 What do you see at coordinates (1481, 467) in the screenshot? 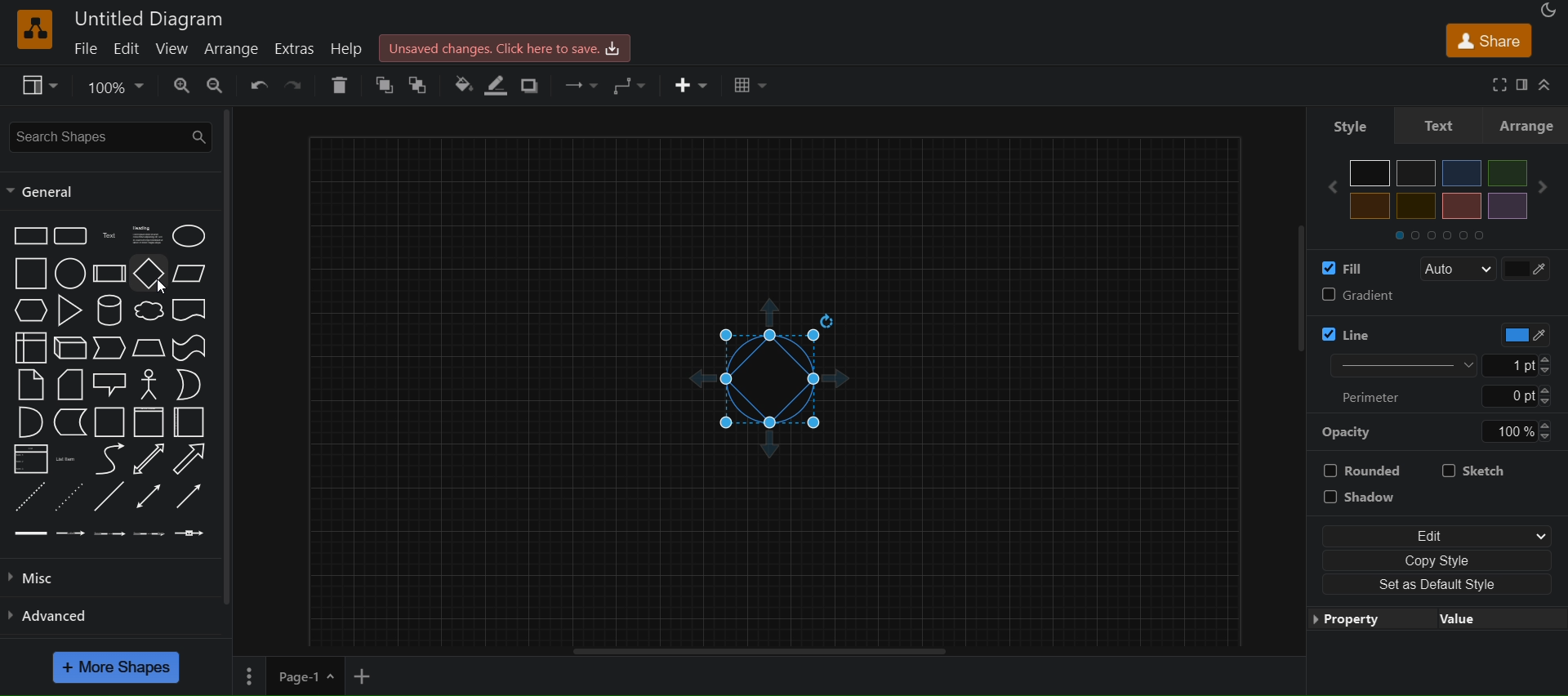
I see `sketch` at bounding box center [1481, 467].